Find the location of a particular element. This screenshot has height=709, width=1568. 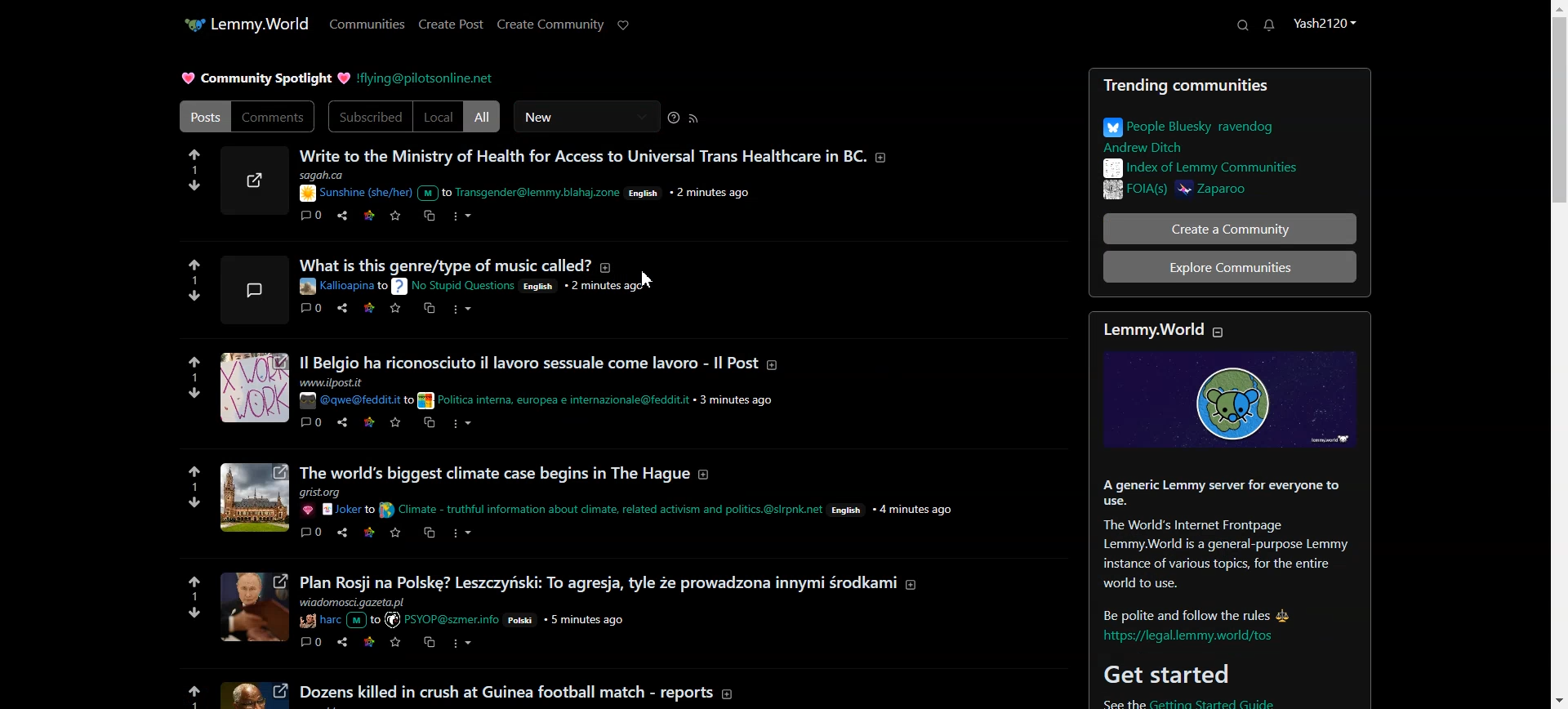

2 minutes is located at coordinates (609, 288).